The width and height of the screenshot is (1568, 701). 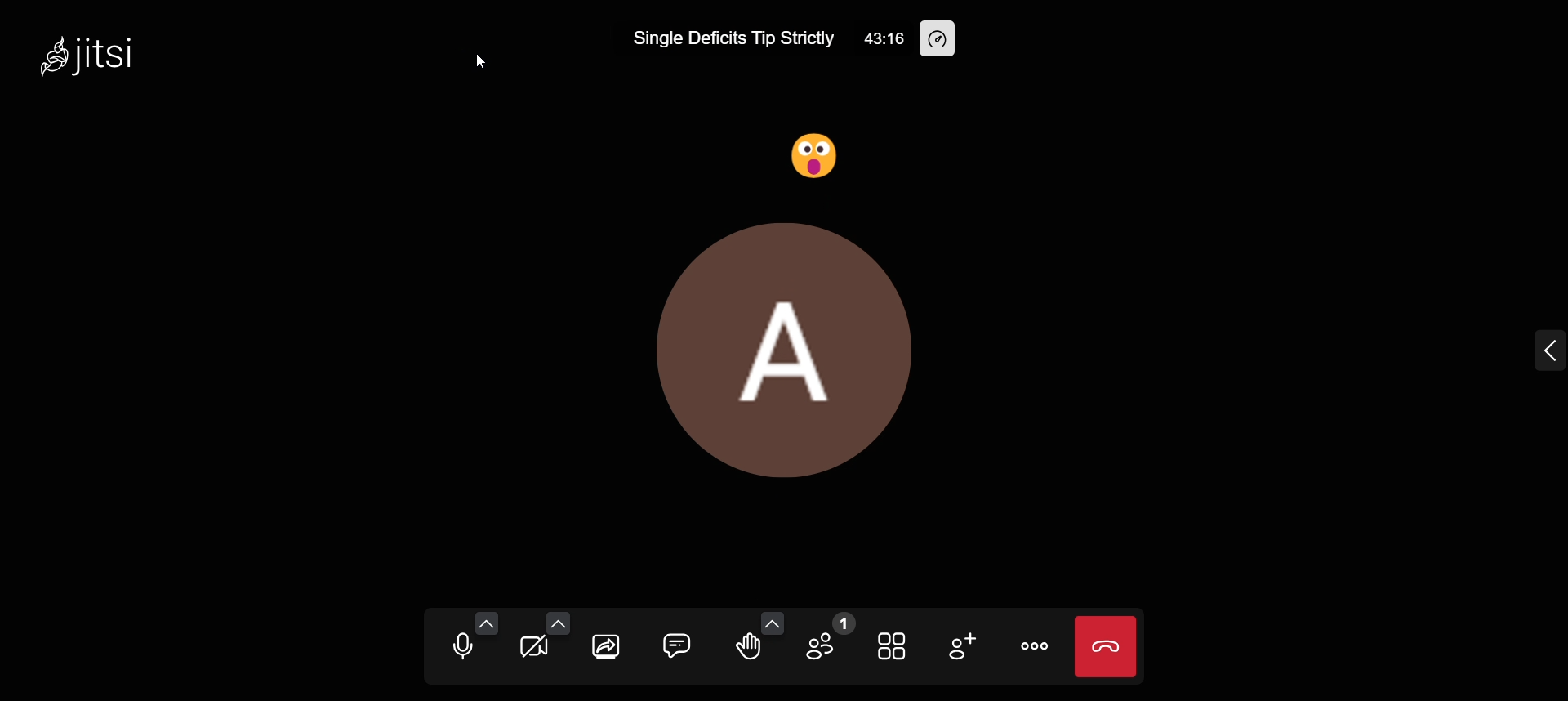 What do you see at coordinates (673, 643) in the screenshot?
I see `open chat` at bounding box center [673, 643].